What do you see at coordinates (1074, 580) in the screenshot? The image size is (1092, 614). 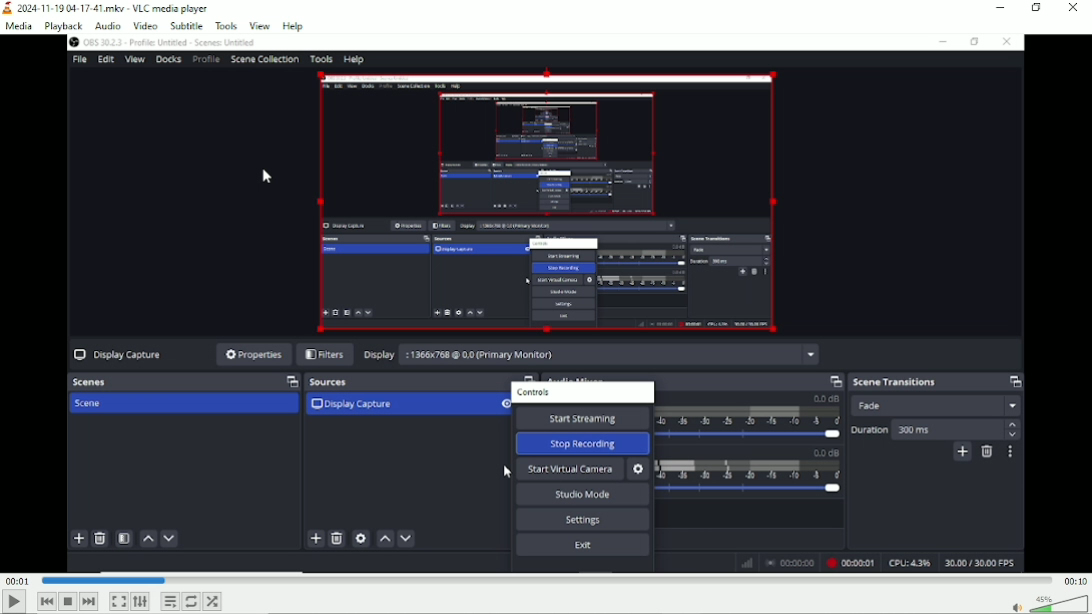 I see `Total duration` at bounding box center [1074, 580].